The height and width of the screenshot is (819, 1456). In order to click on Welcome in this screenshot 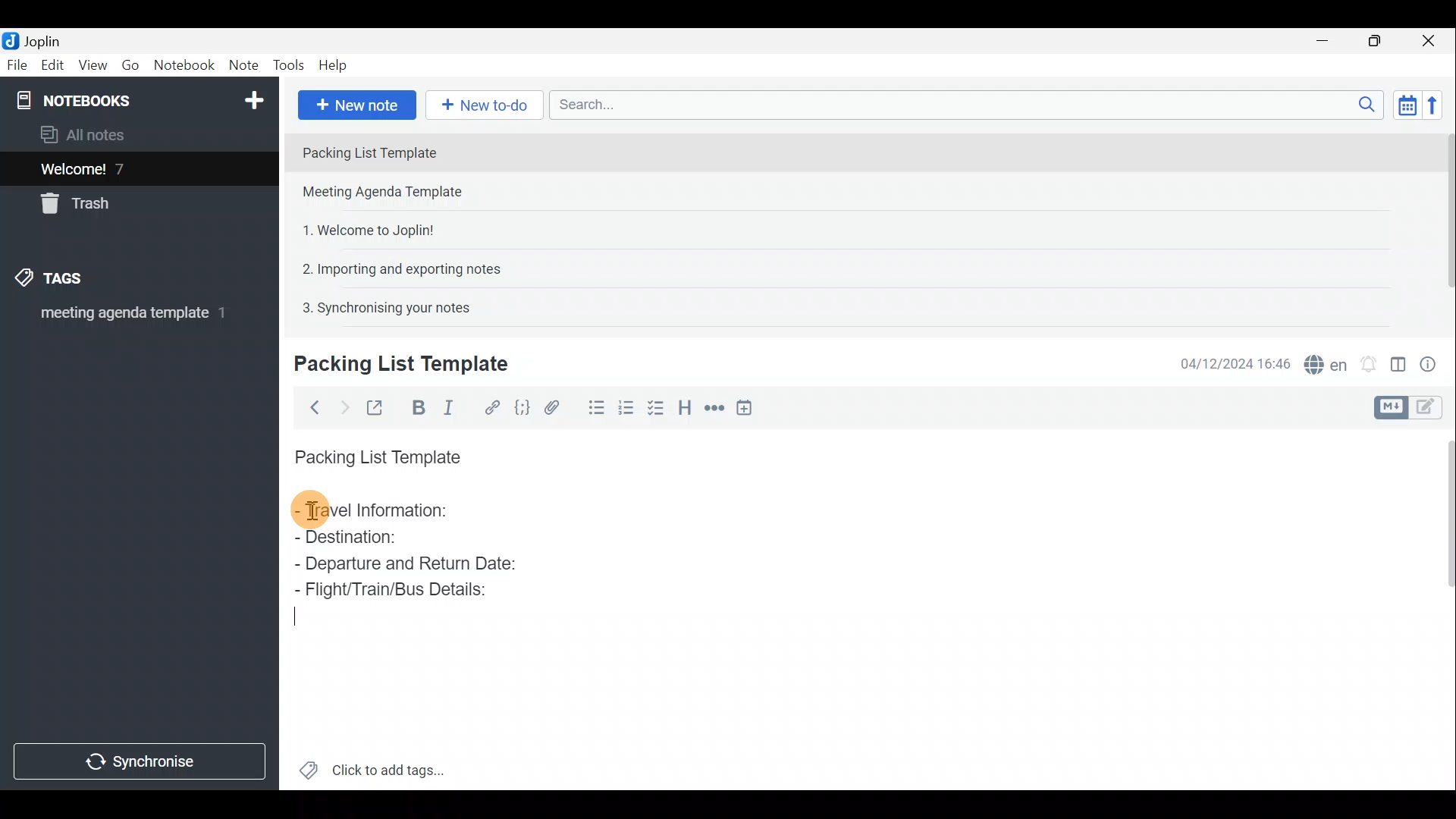, I will do `click(116, 168)`.